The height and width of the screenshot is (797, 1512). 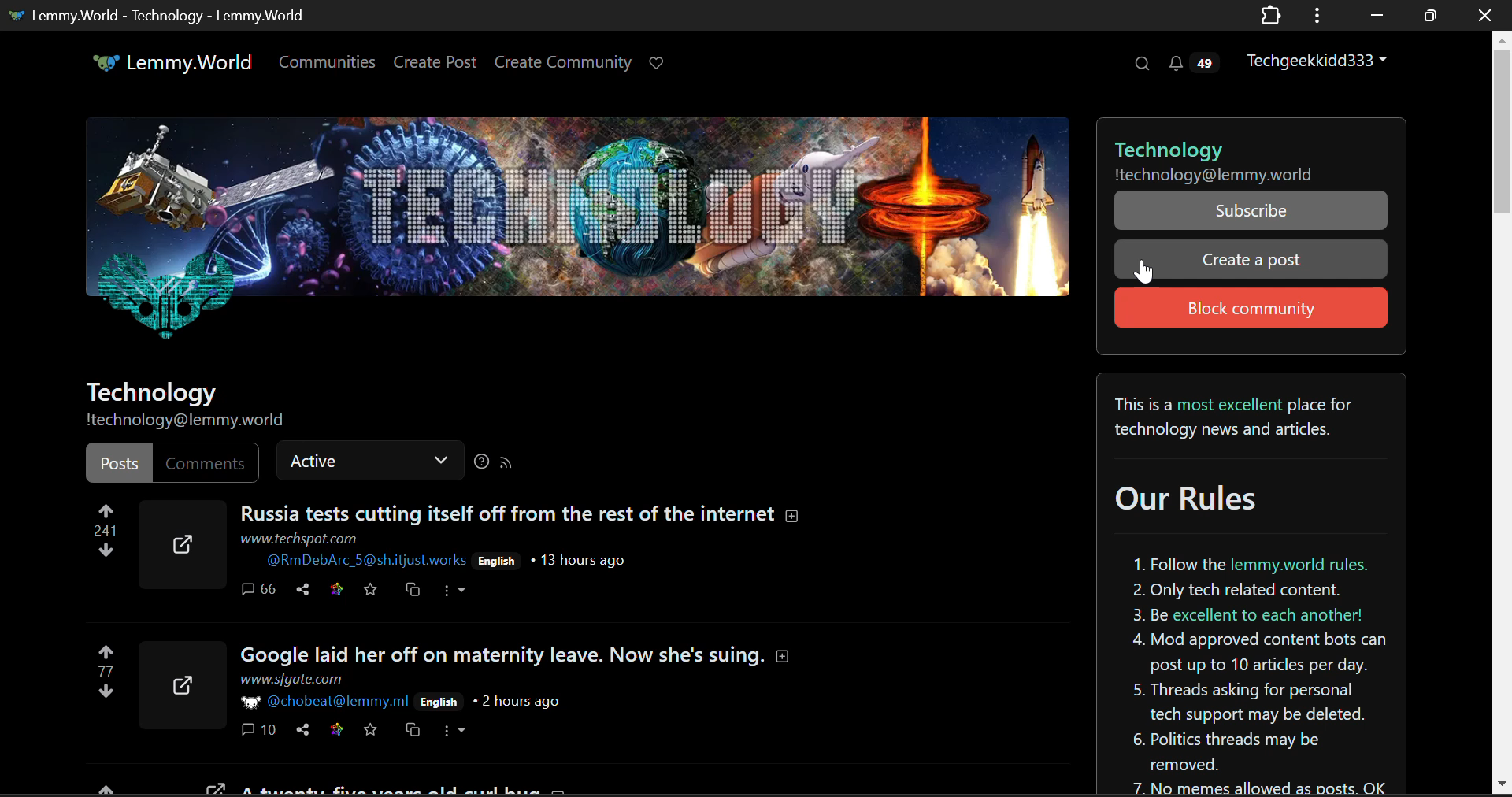 I want to click on save Link, so click(x=335, y=730).